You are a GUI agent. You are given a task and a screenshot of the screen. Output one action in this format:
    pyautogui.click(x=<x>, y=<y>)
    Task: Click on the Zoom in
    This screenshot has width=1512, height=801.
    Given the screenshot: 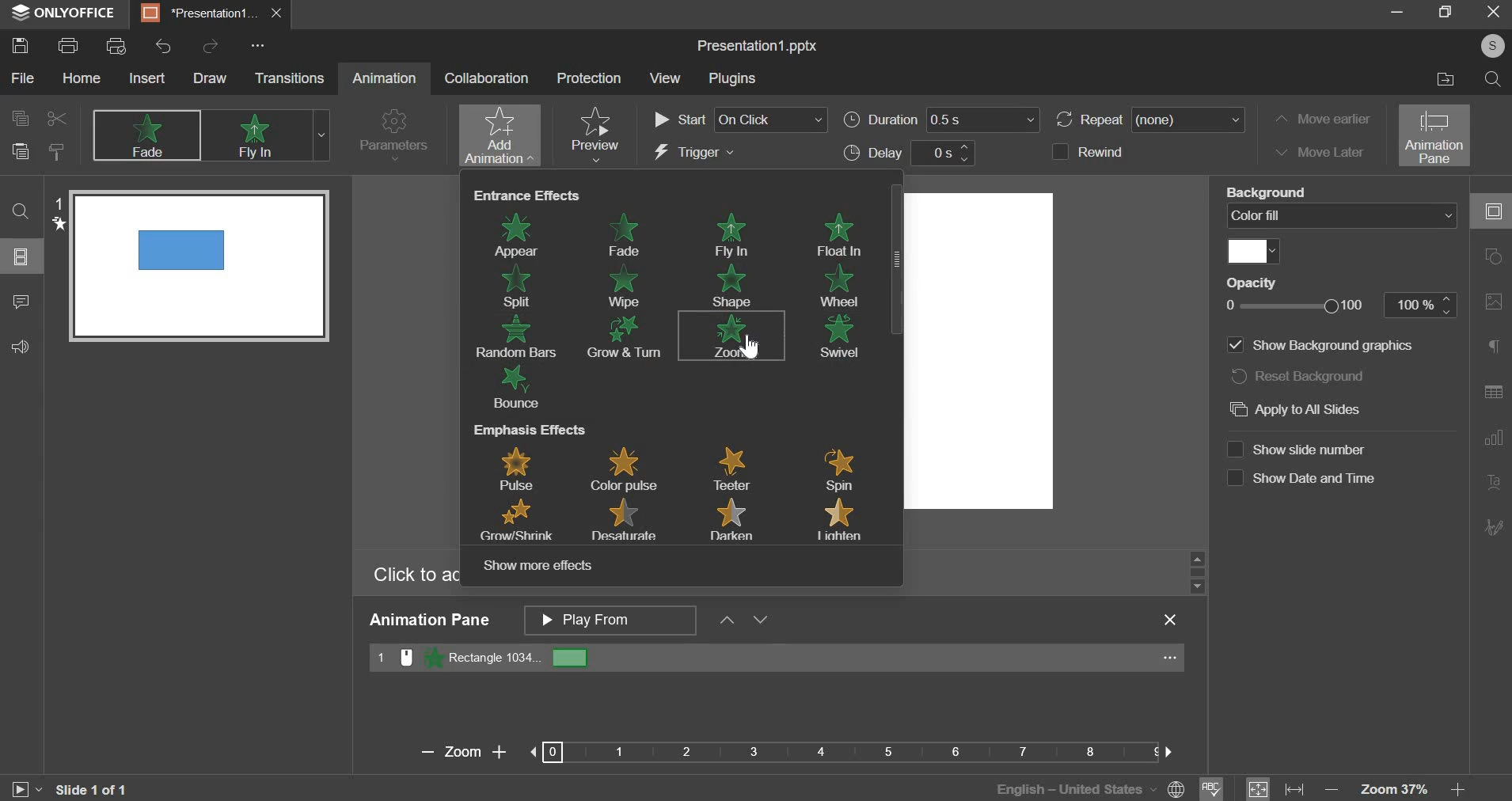 What is the action you would take?
    pyautogui.click(x=498, y=752)
    